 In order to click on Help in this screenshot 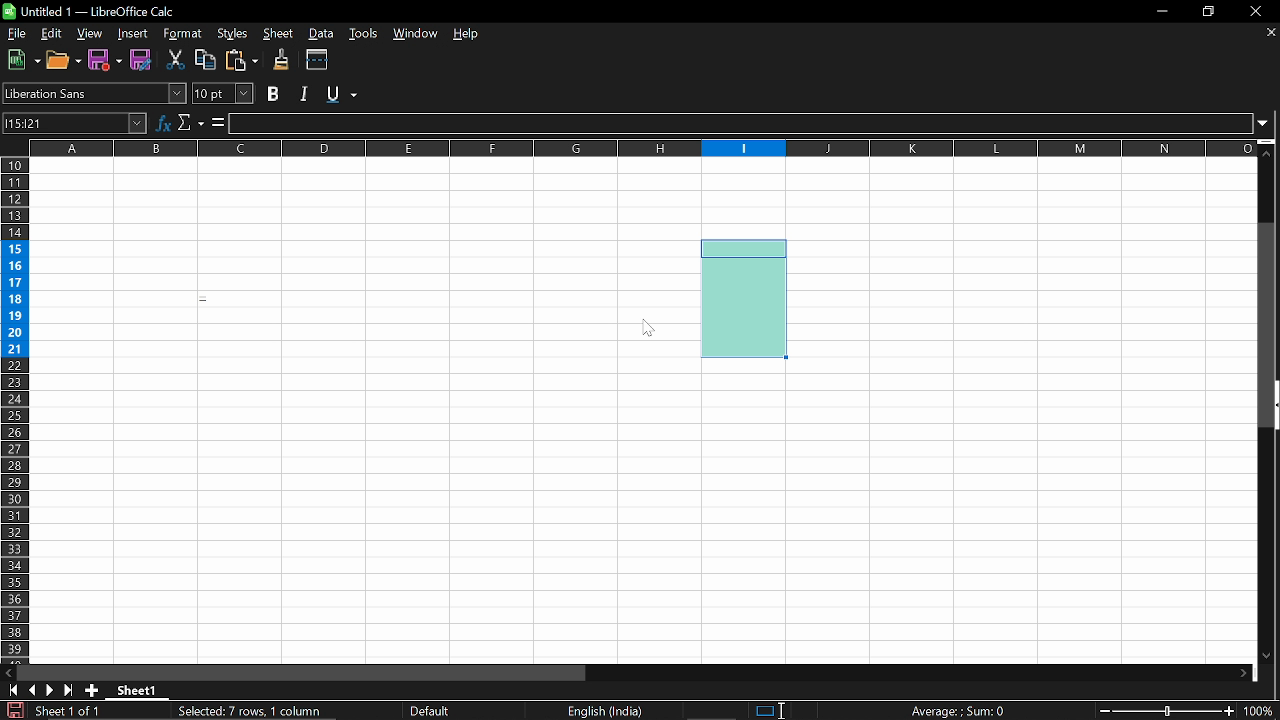, I will do `click(467, 36)`.